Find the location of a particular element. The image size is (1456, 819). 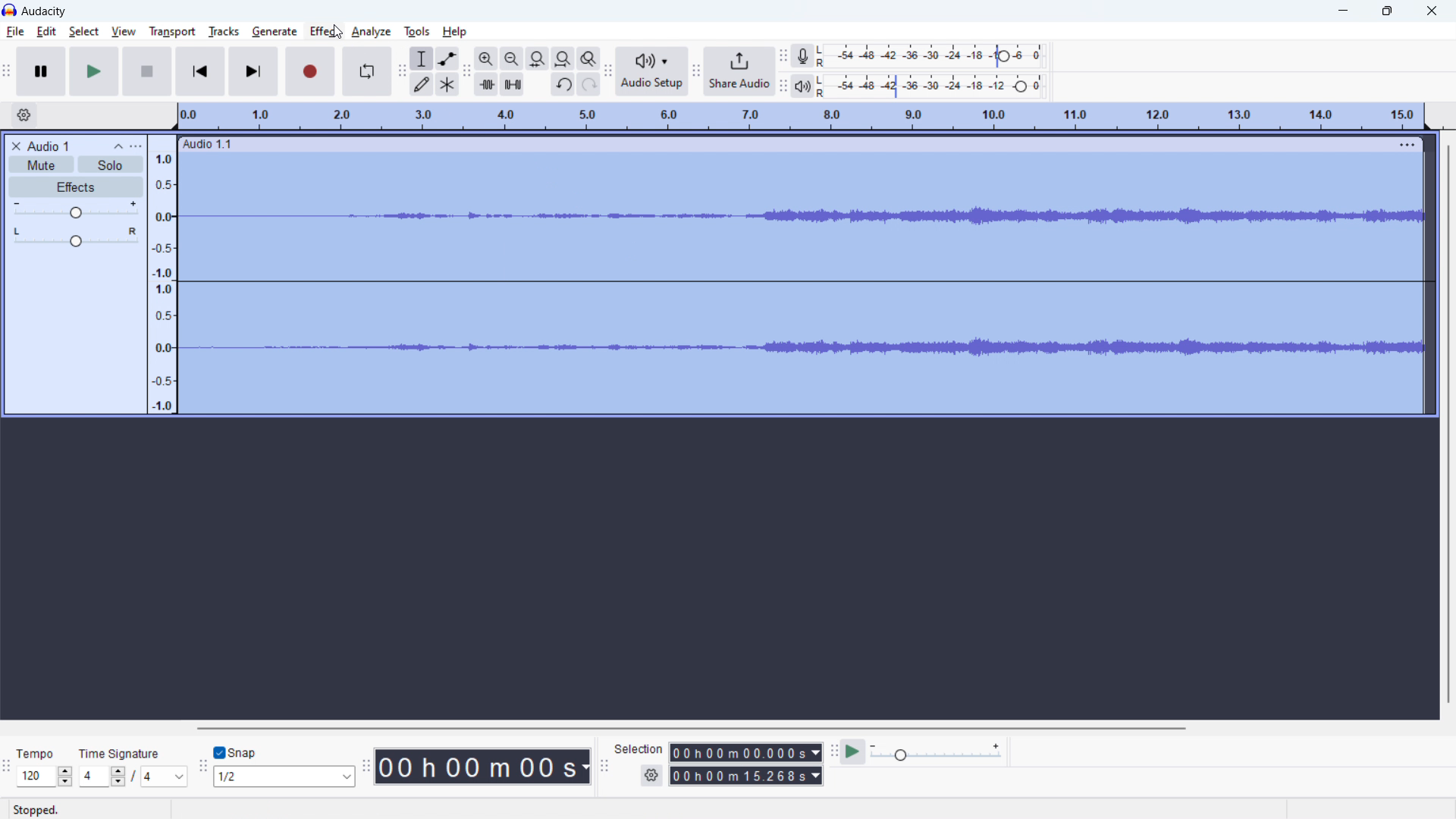

logo is located at coordinates (10, 9).